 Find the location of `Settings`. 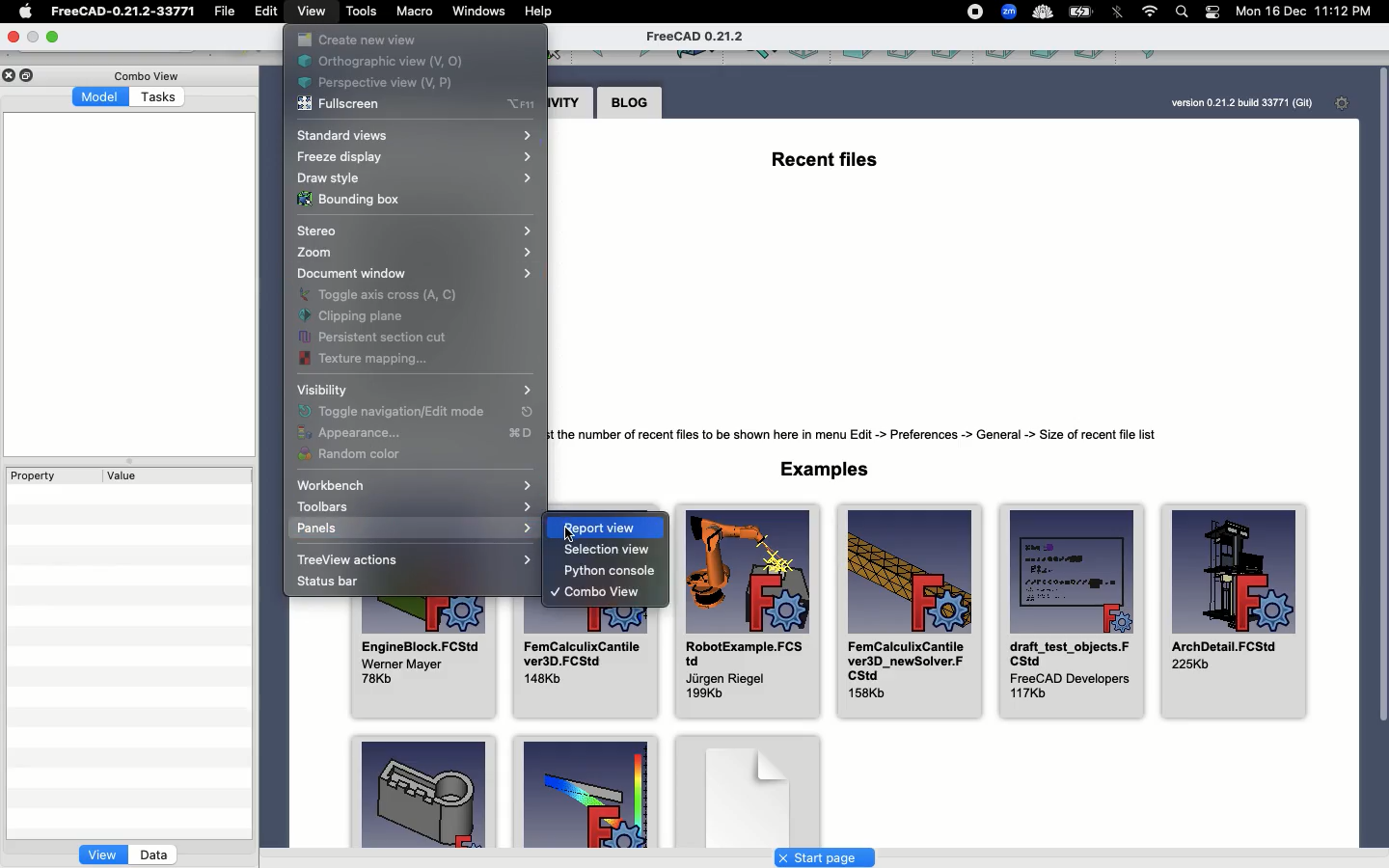

Settings is located at coordinates (1346, 105).